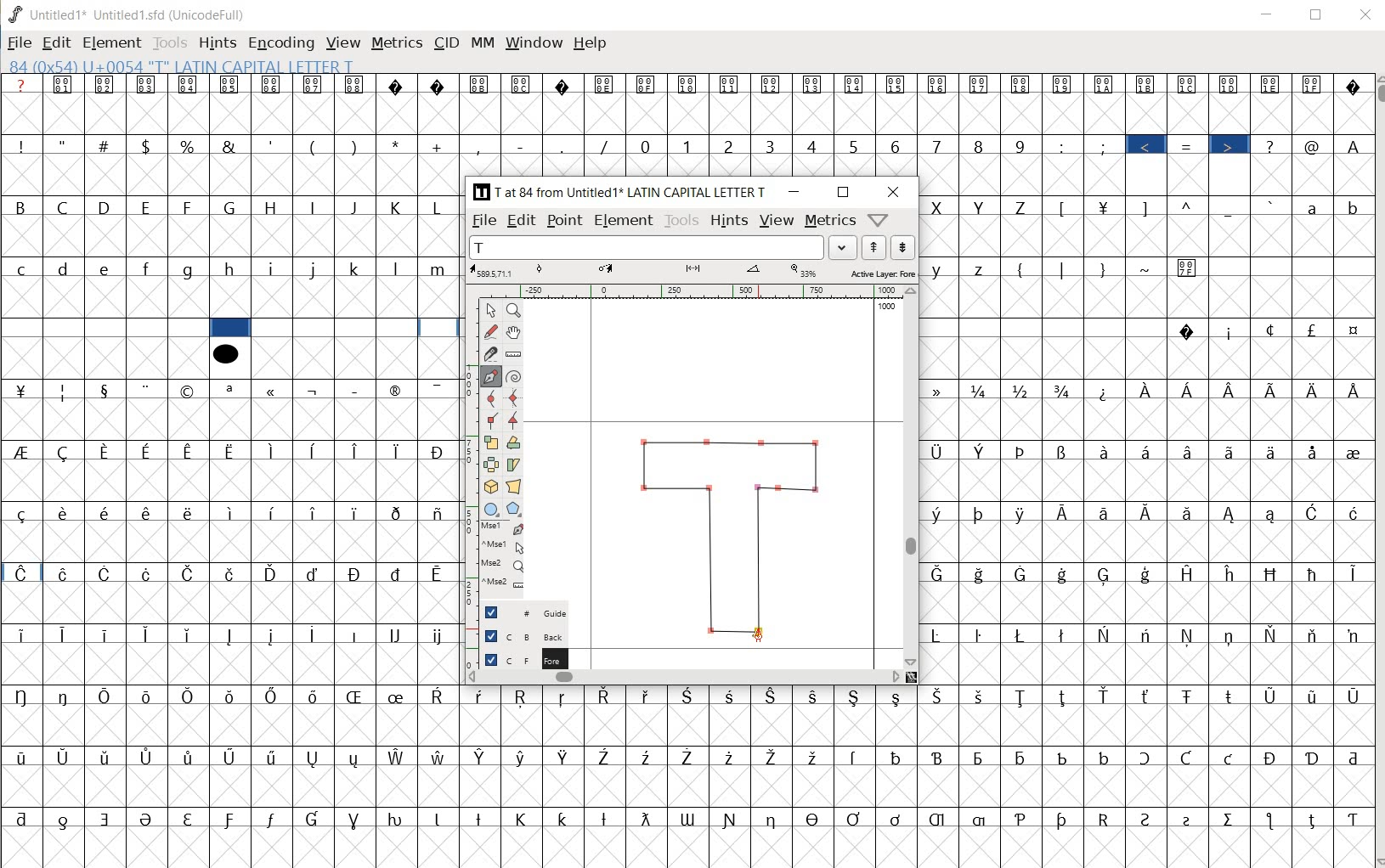 The height and width of the screenshot is (868, 1385). What do you see at coordinates (1273, 451) in the screenshot?
I see `Symbol` at bounding box center [1273, 451].